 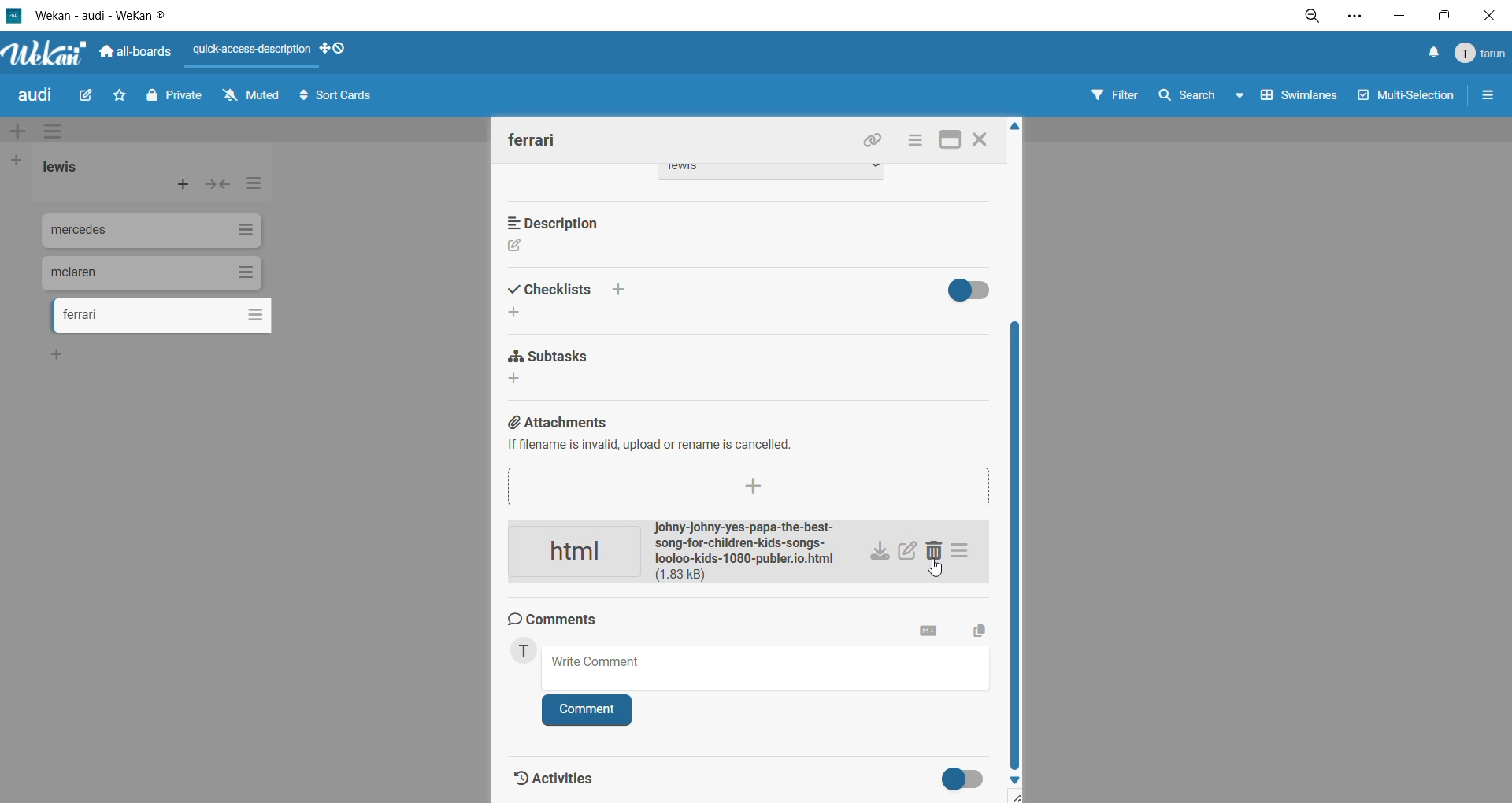 What do you see at coordinates (954, 777) in the screenshot?
I see `toggle` at bounding box center [954, 777].